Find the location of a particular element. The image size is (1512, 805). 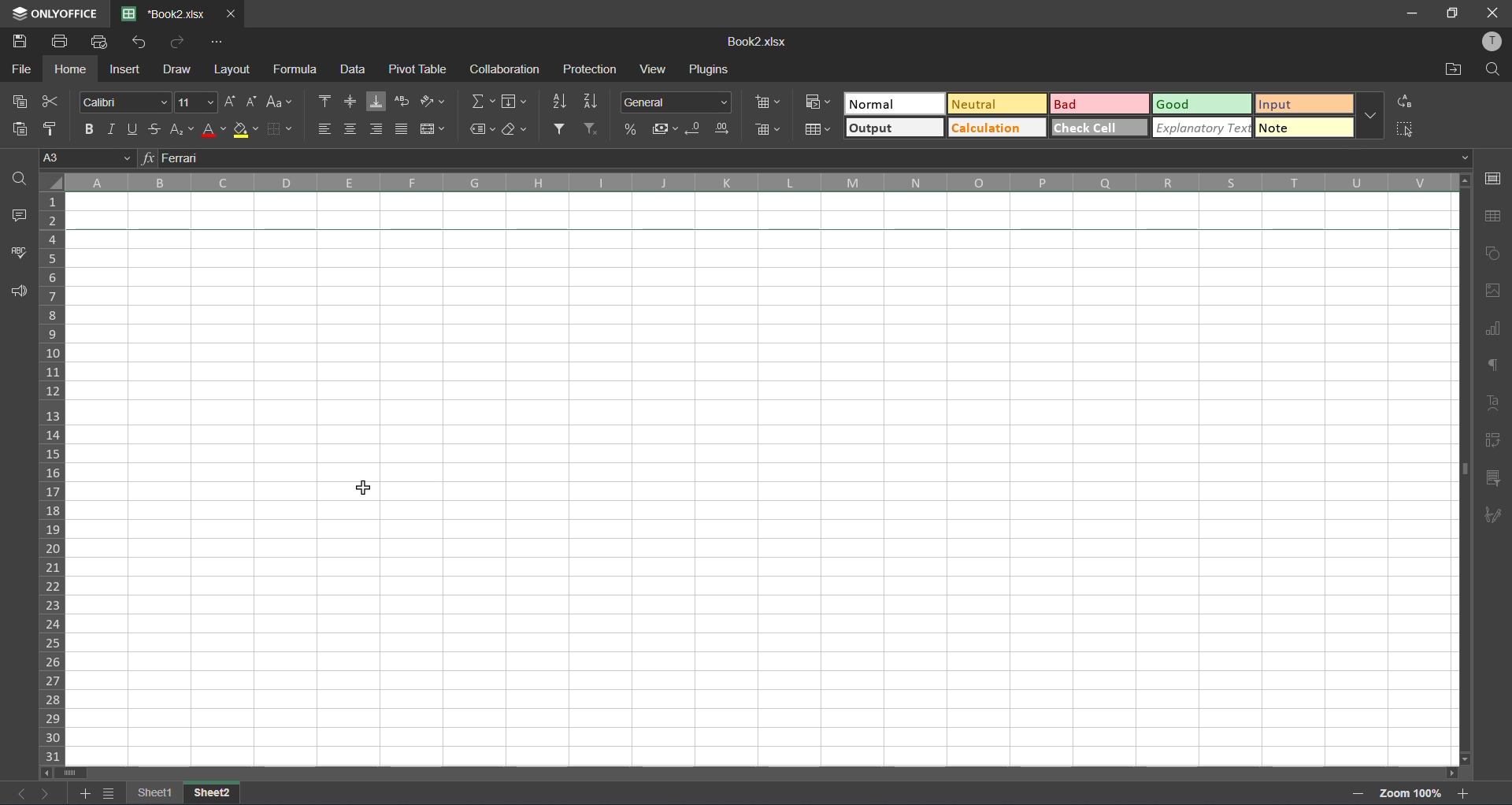

home is located at coordinates (68, 71).